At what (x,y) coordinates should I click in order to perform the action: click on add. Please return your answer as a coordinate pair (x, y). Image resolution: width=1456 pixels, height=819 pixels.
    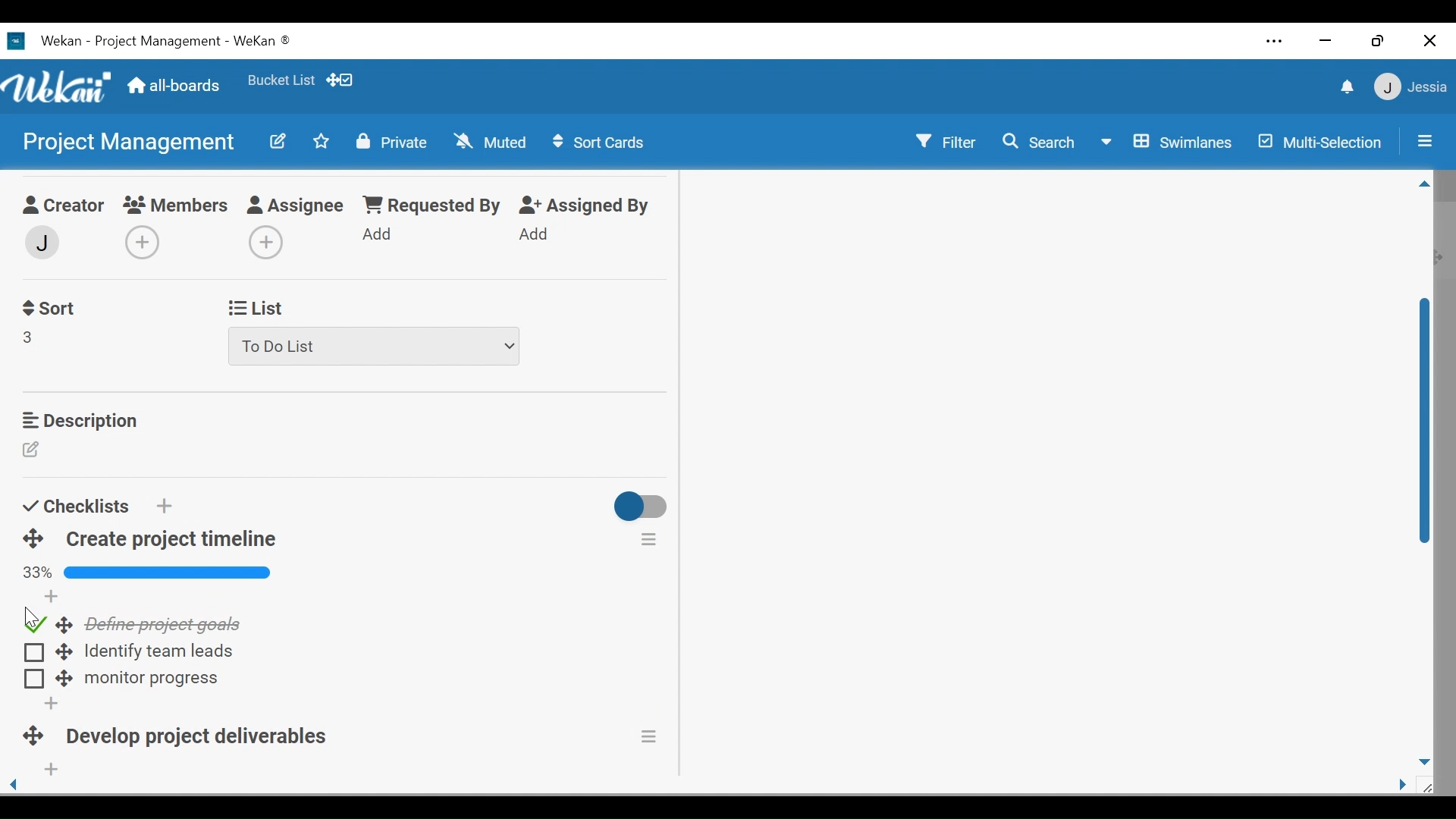
    Looking at the image, I should click on (83, 773).